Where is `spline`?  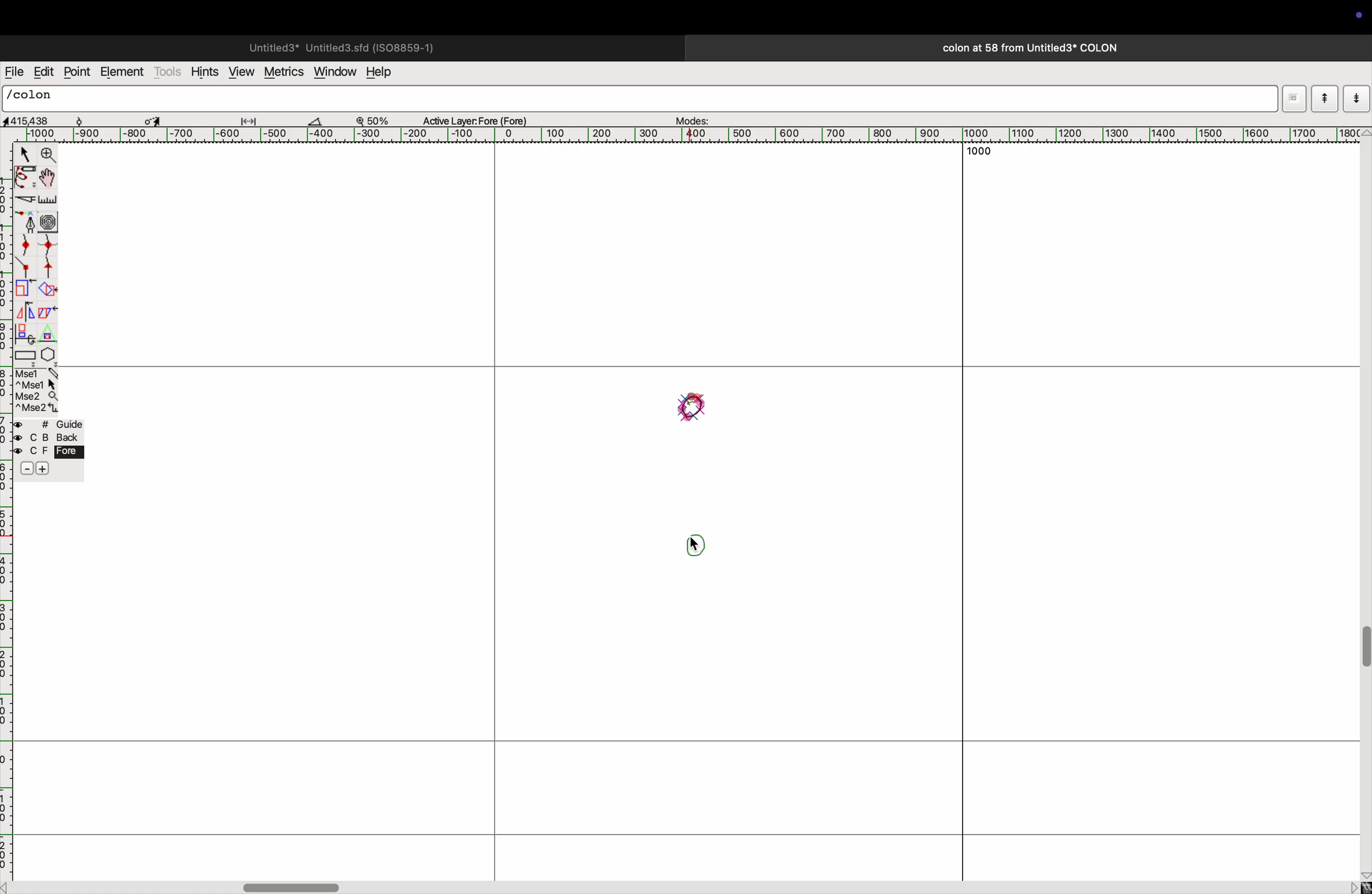
spline is located at coordinates (39, 256).